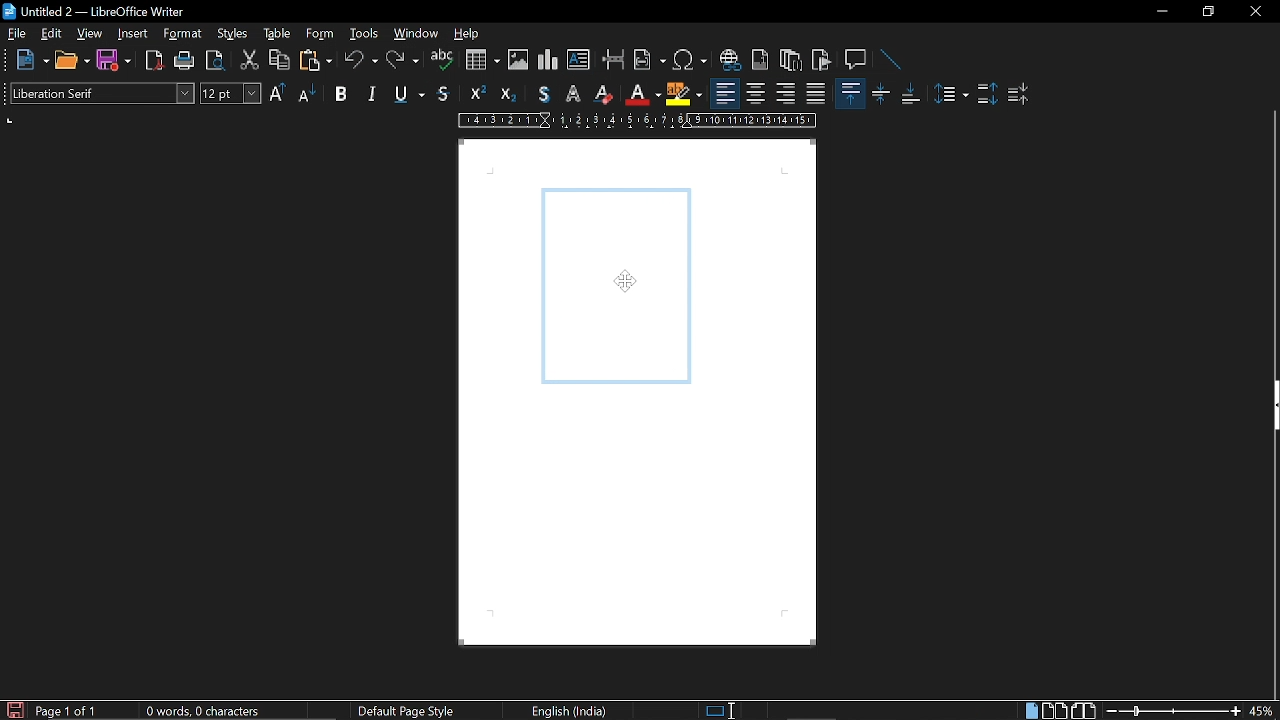 This screenshot has width=1280, height=720. I want to click on vertical scroll bar, so click(1272, 567).